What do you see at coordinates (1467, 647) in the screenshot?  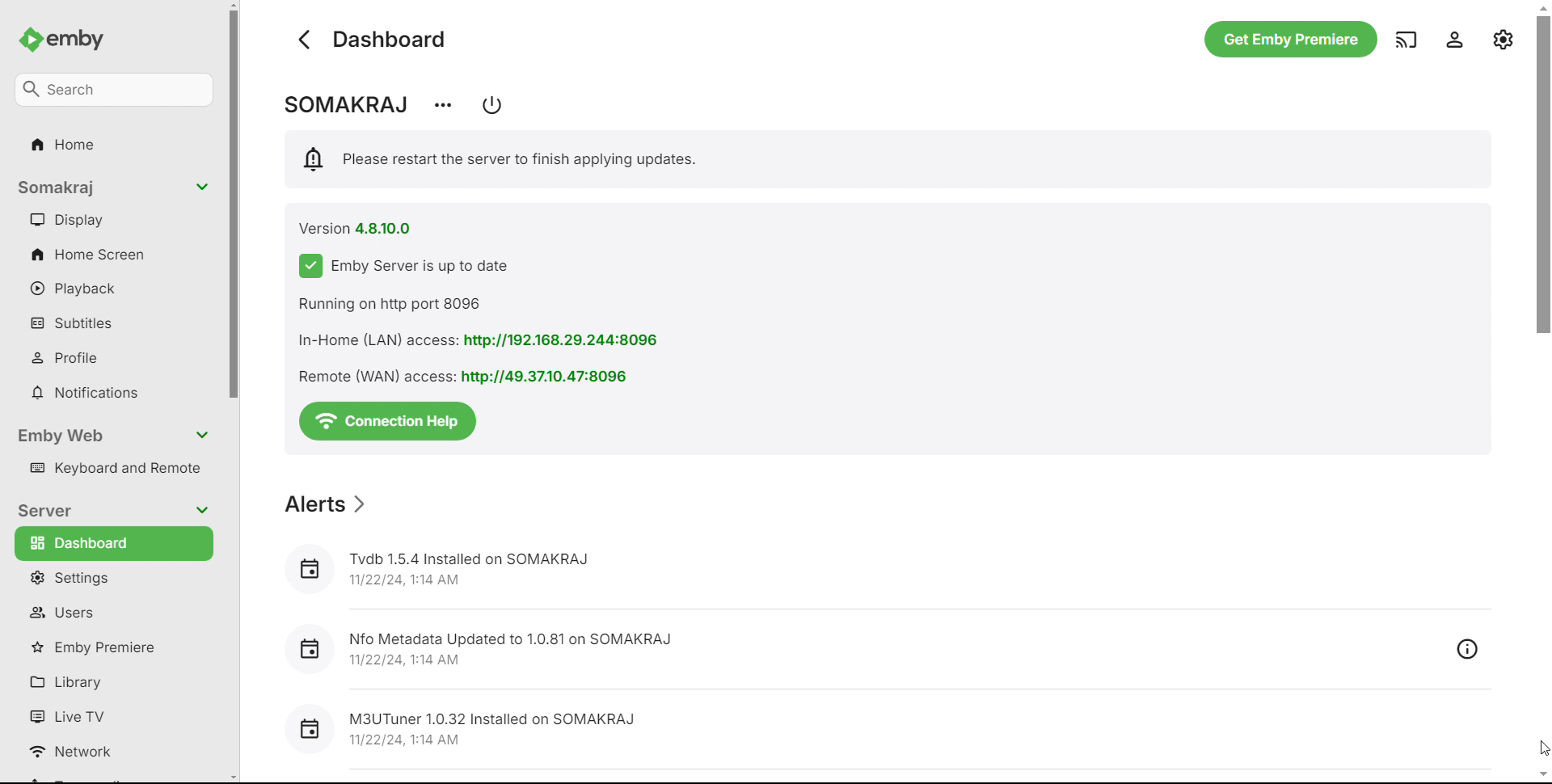 I see `overview` at bounding box center [1467, 647].